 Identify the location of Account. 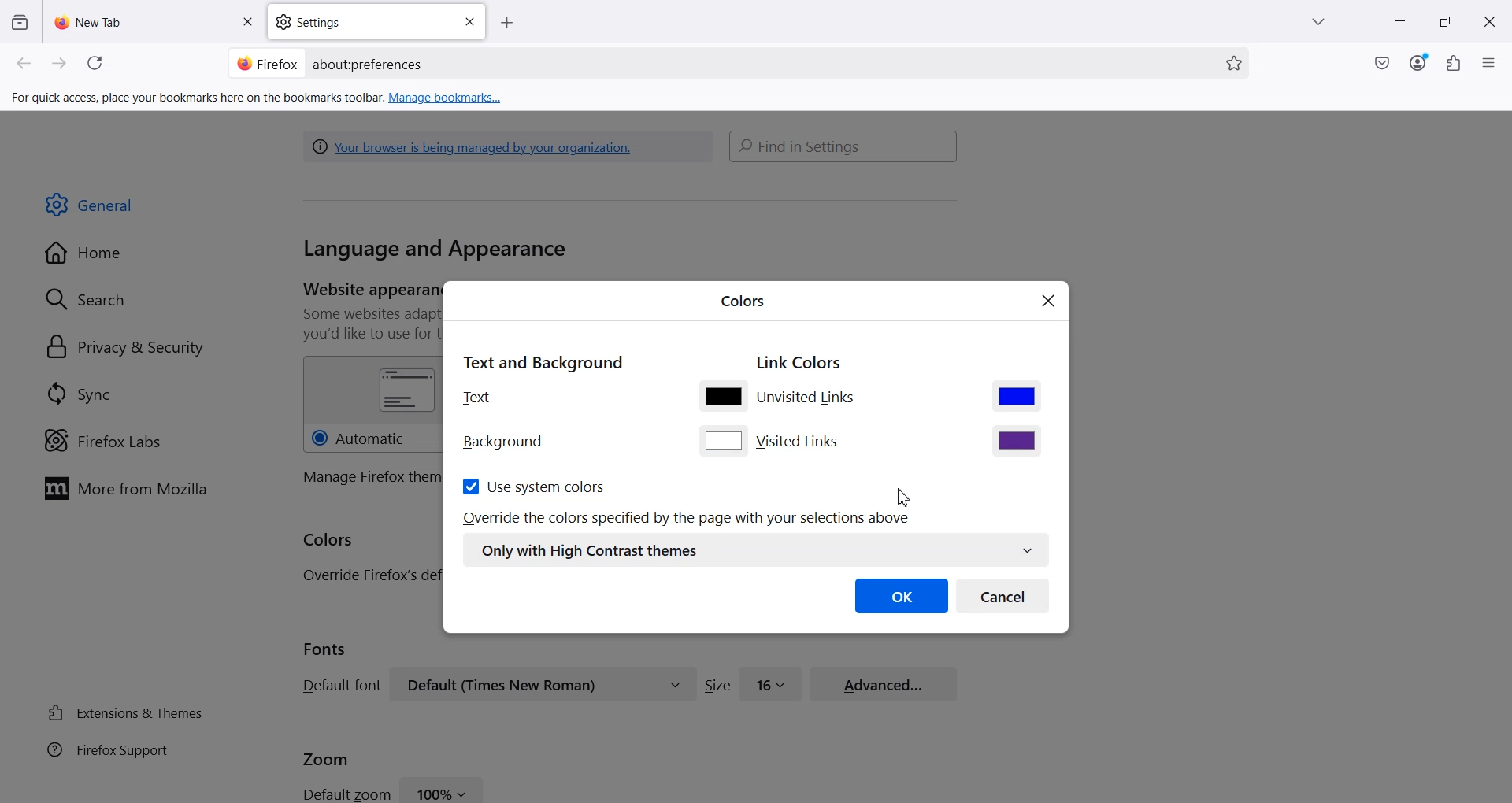
(1418, 63).